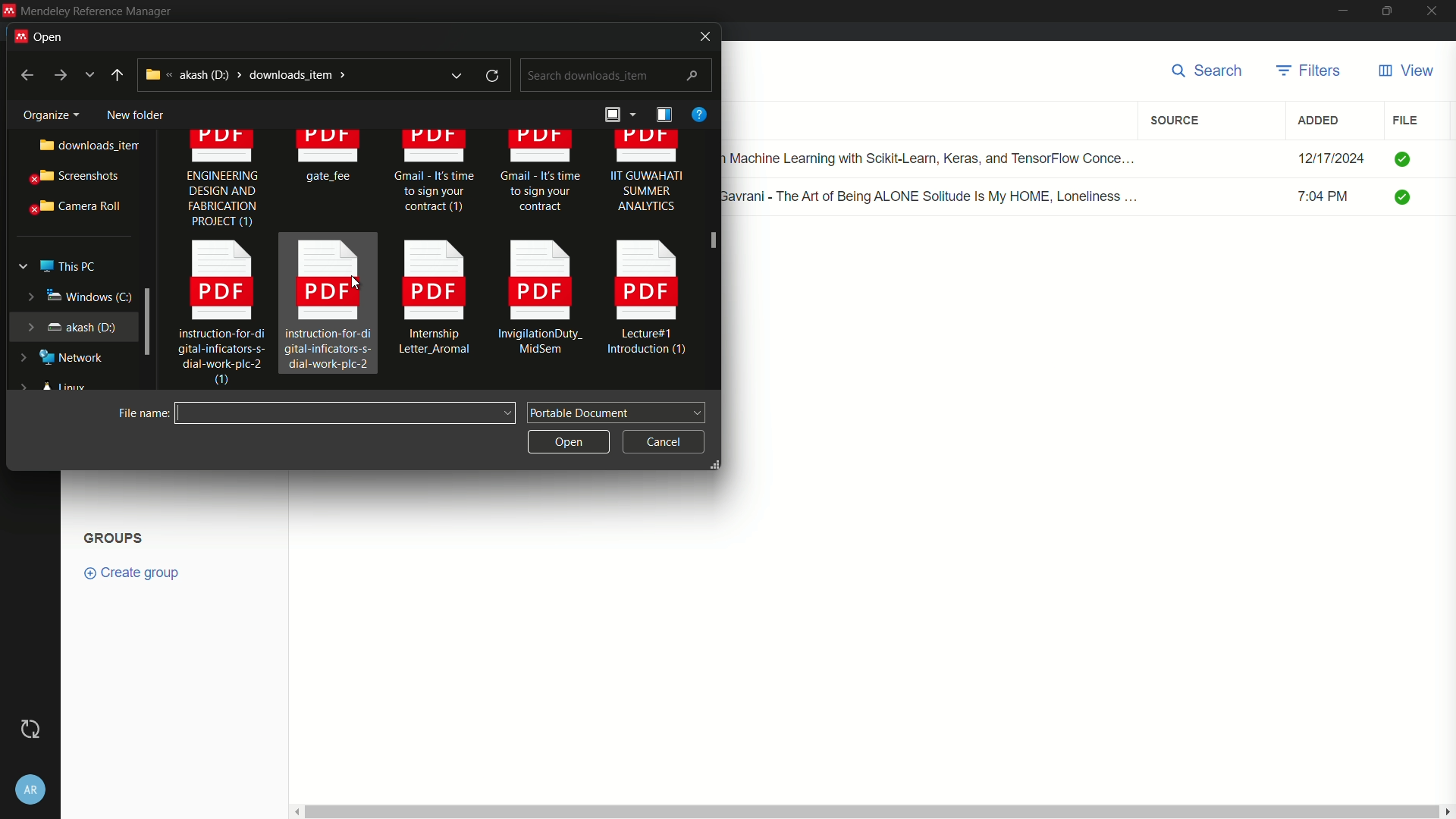  I want to click on added, so click(1319, 121).